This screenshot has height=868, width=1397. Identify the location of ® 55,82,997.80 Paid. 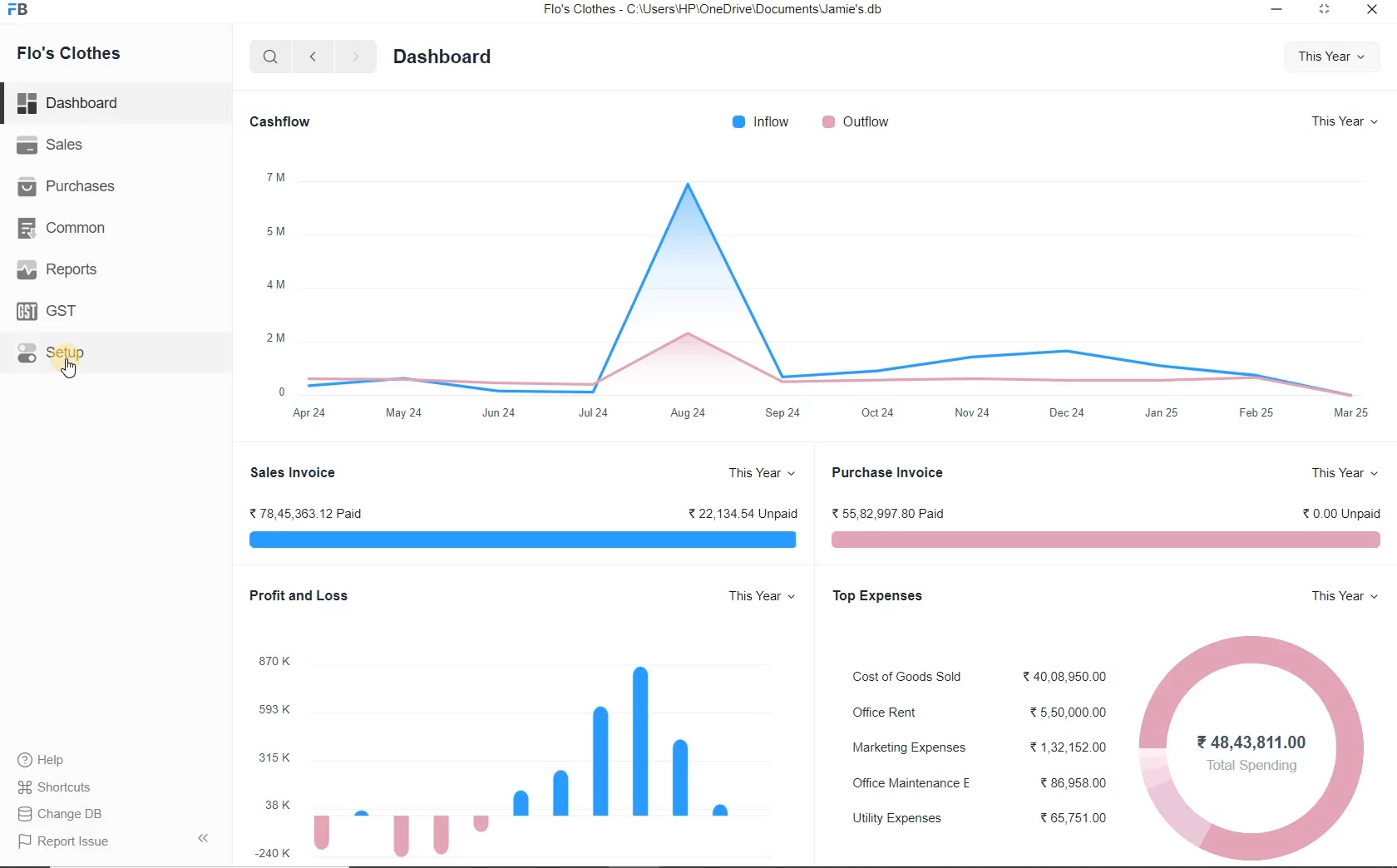
(889, 513).